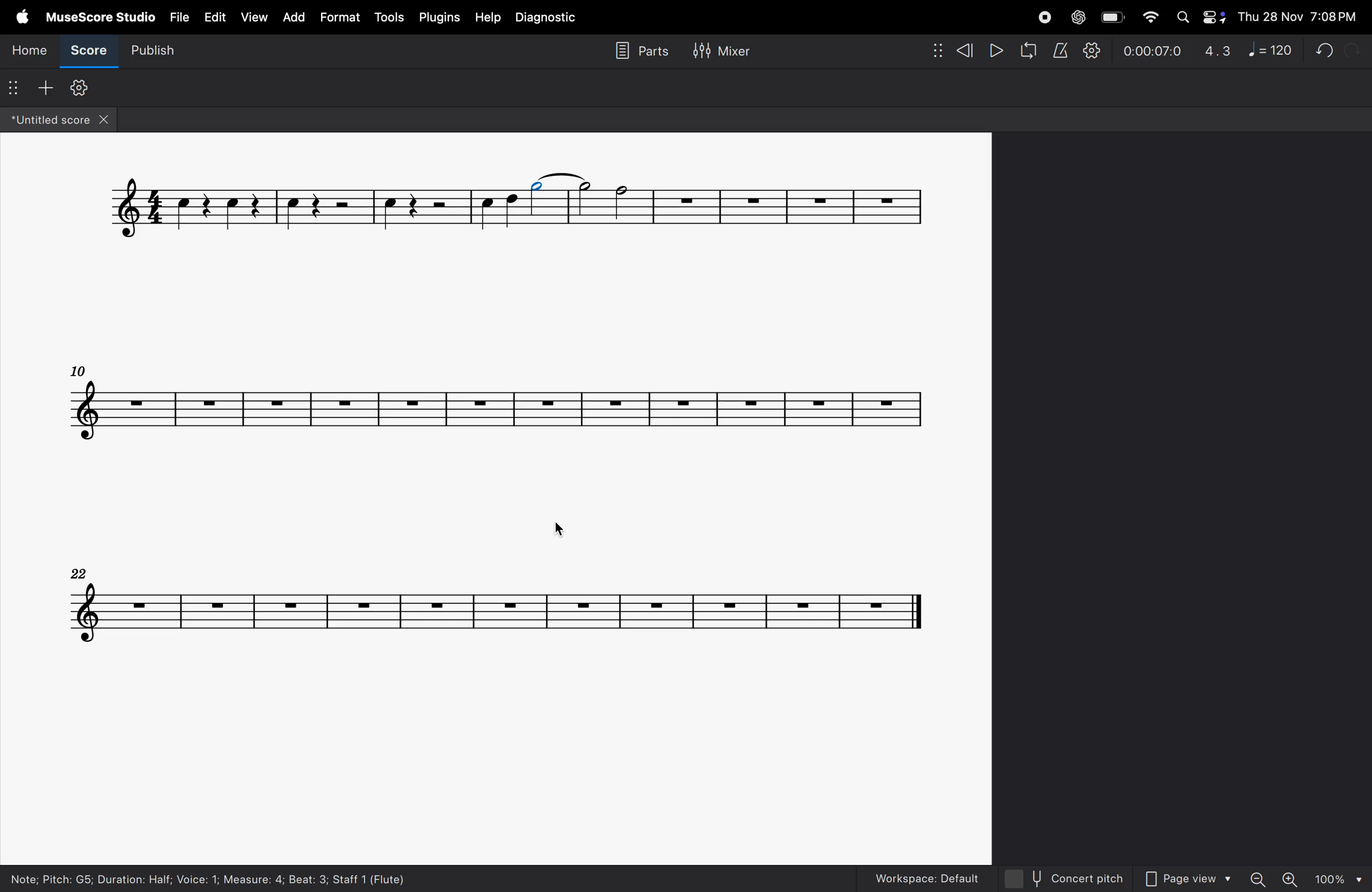 This screenshot has width=1372, height=892. What do you see at coordinates (517, 216) in the screenshot?
I see `notes` at bounding box center [517, 216].